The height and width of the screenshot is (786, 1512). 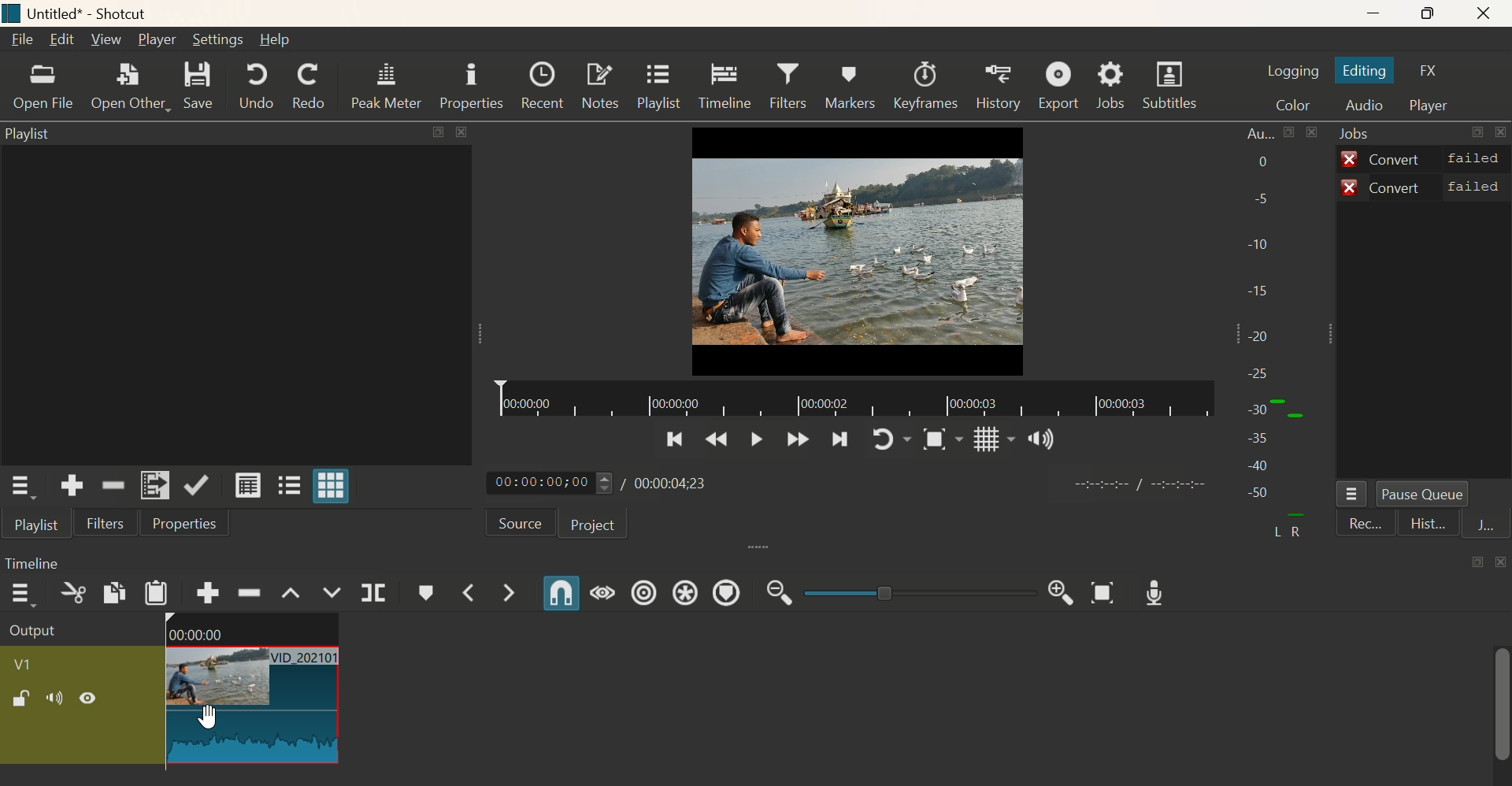 What do you see at coordinates (600, 525) in the screenshot?
I see `` at bounding box center [600, 525].